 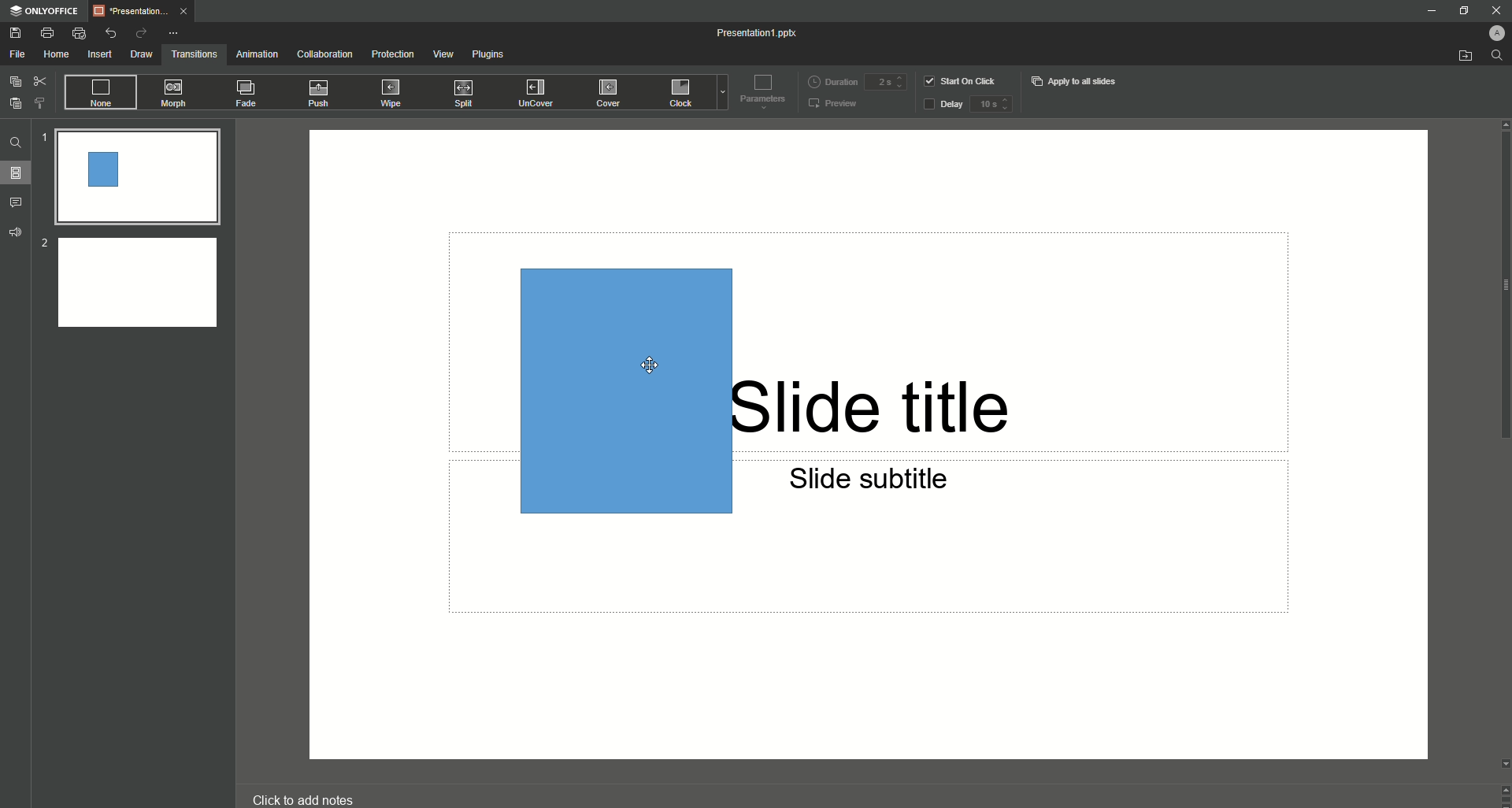 I want to click on Undo, so click(x=111, y=32).